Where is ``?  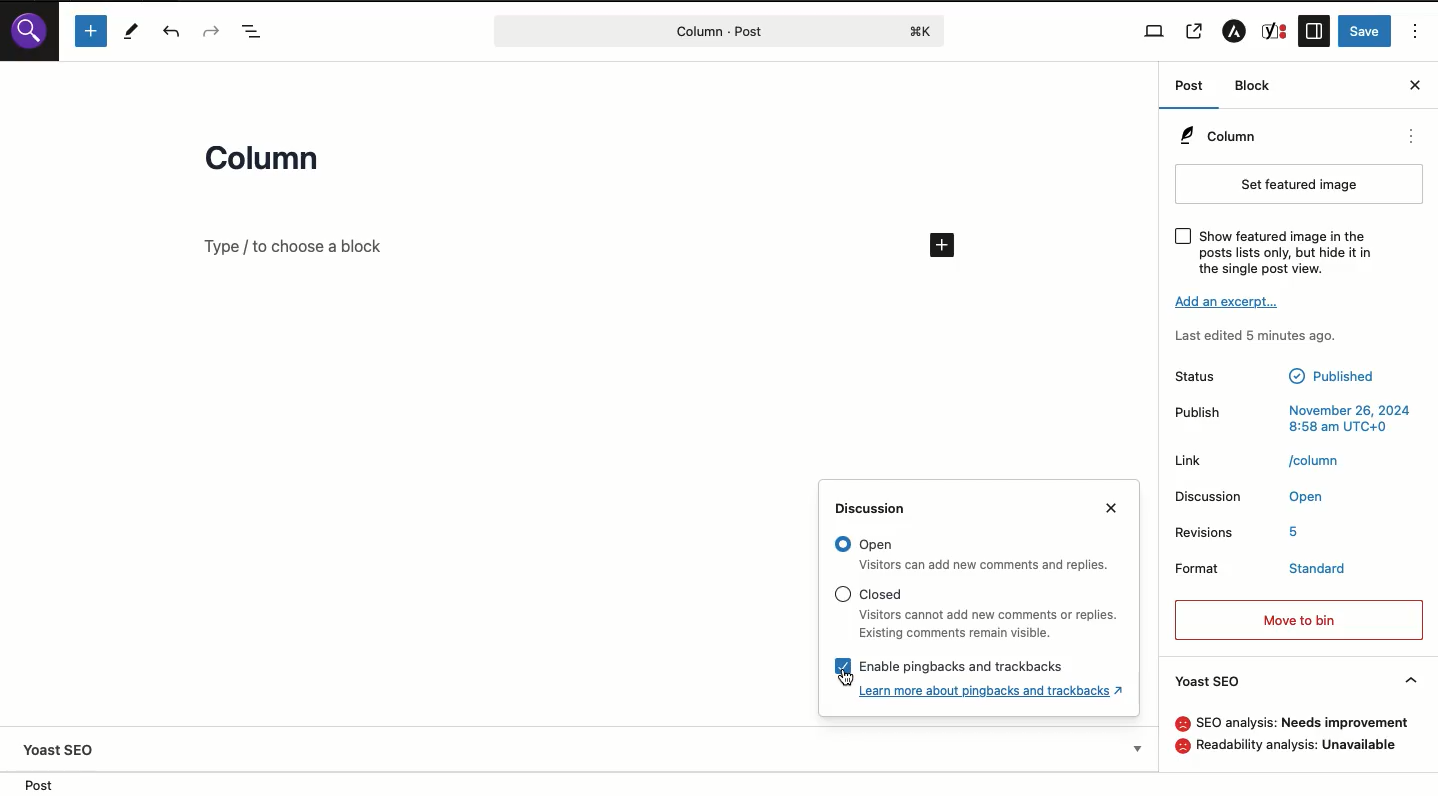  is located at coordinates (884, 595).